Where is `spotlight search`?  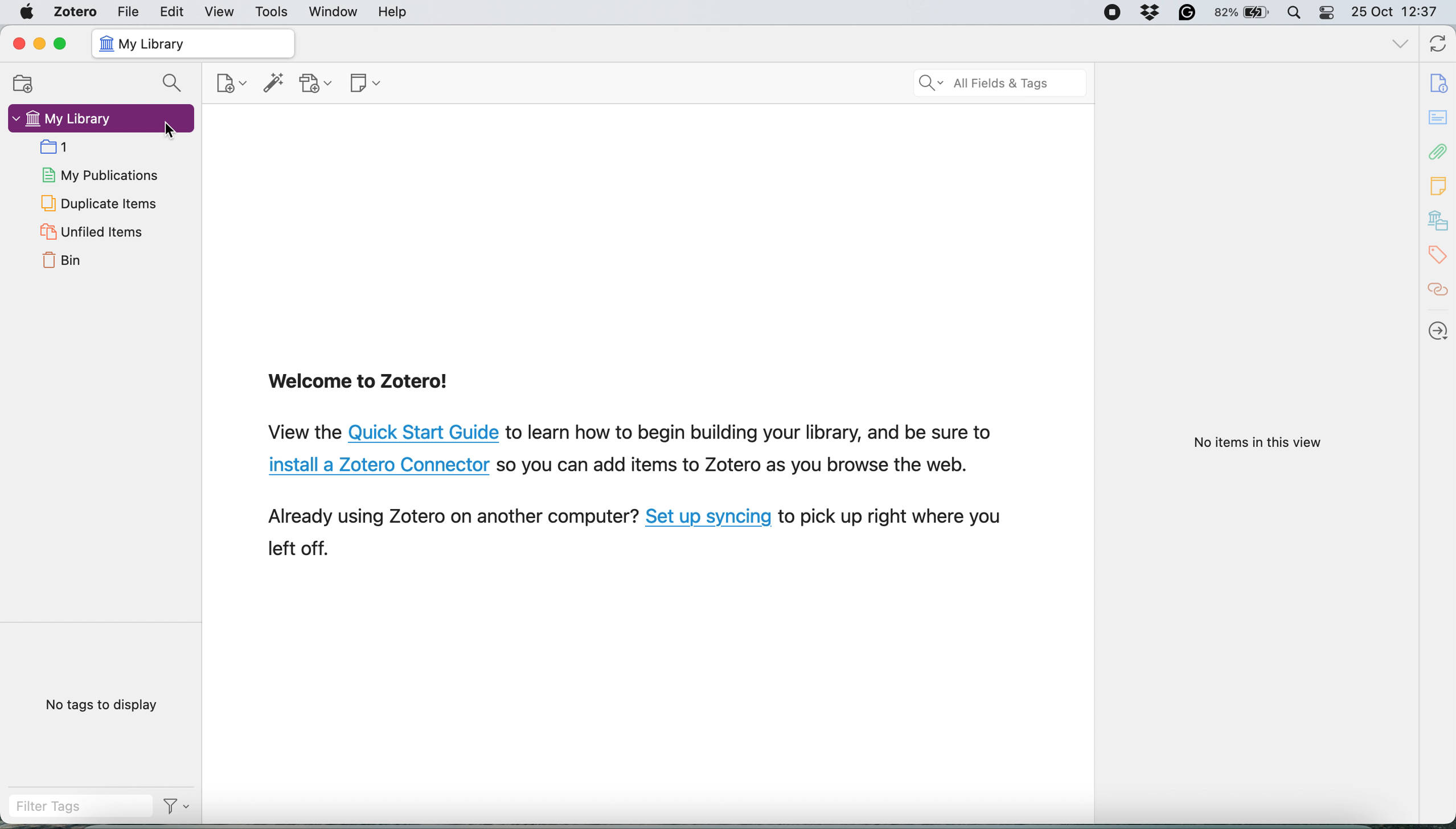
spotlight search is located at coordinates (1295, 13).